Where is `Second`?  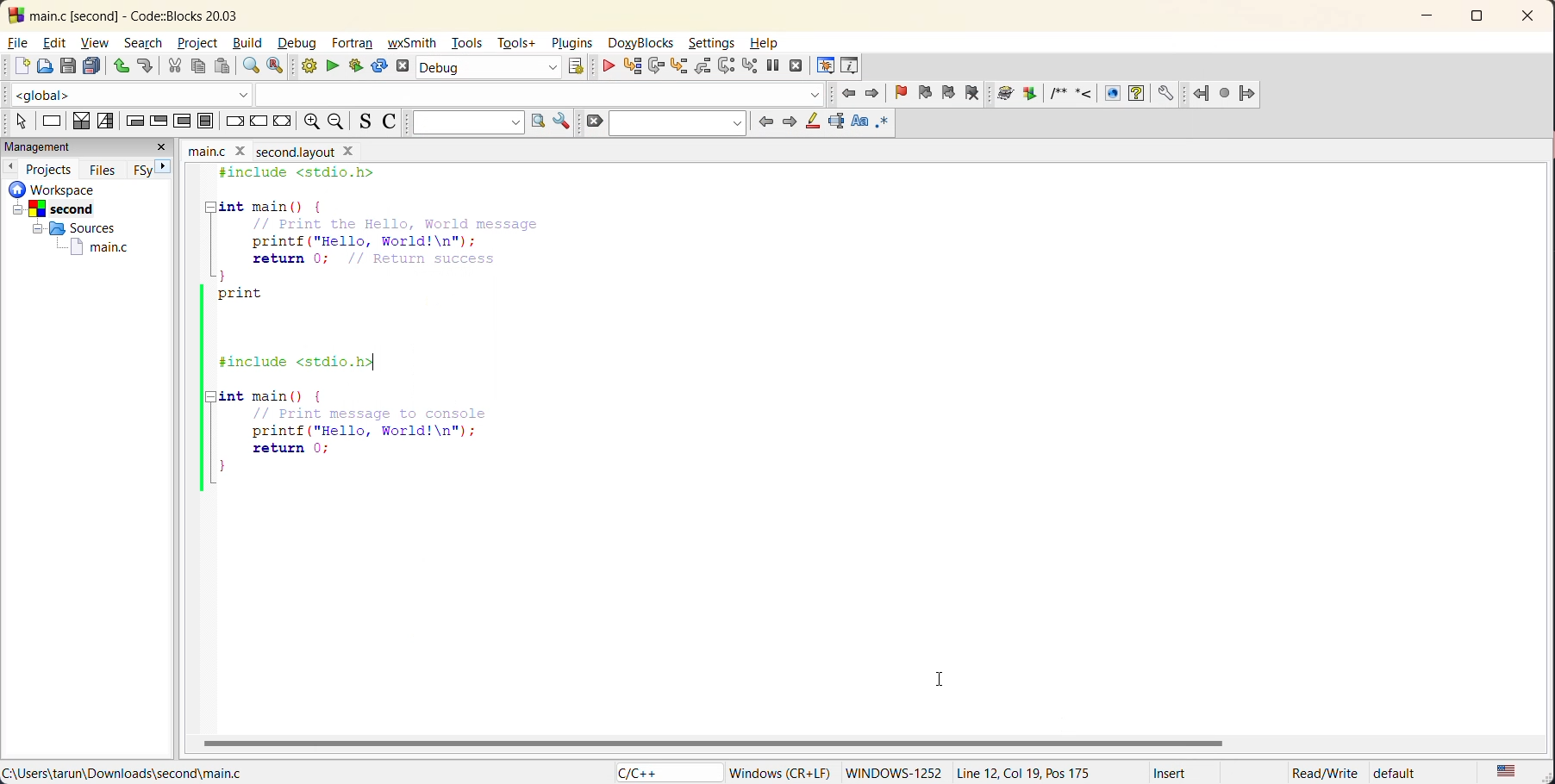 Second is located at coordinates (76, 208).